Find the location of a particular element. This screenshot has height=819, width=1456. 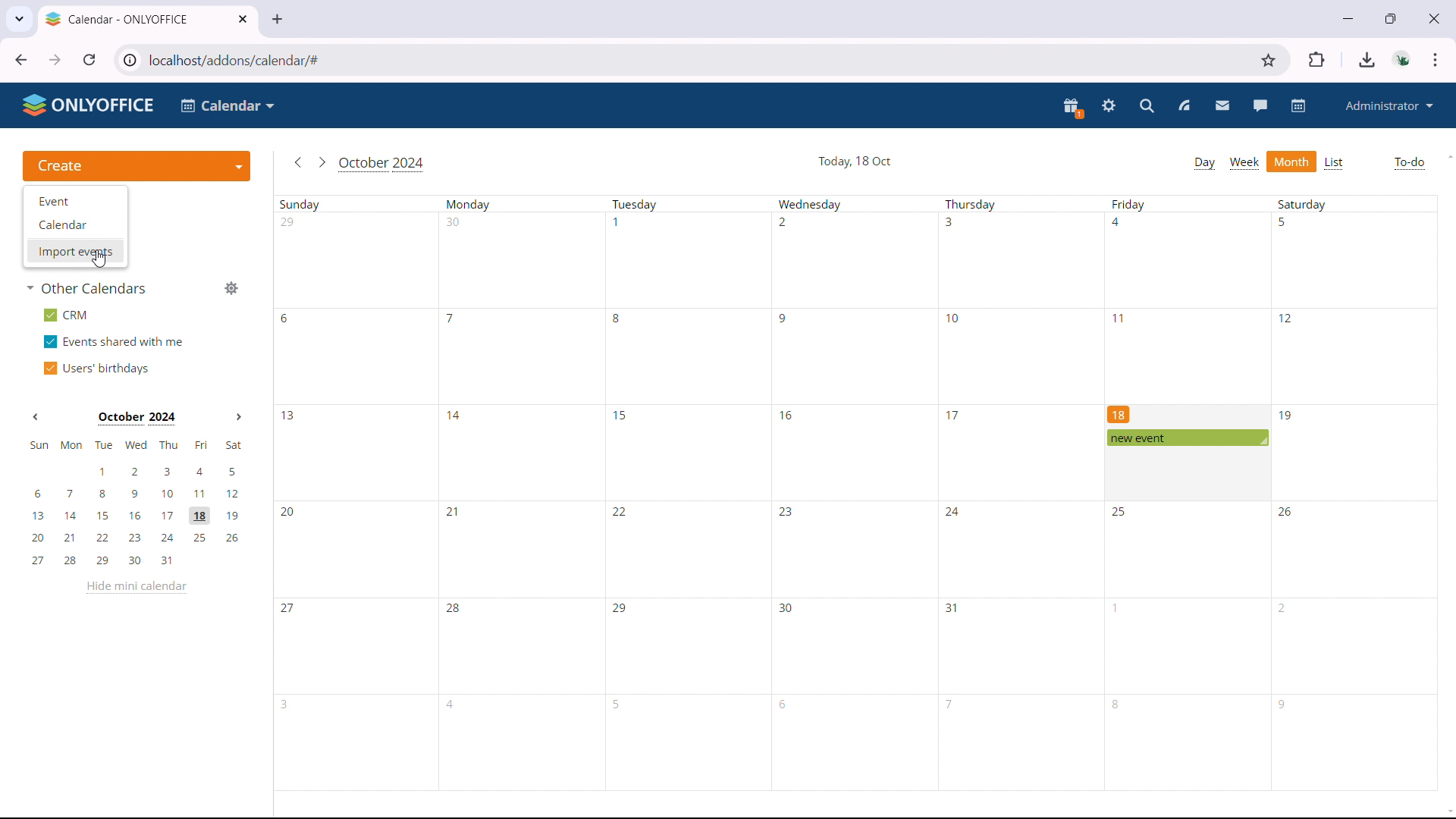

close tab is located at coordinates (242, 19).